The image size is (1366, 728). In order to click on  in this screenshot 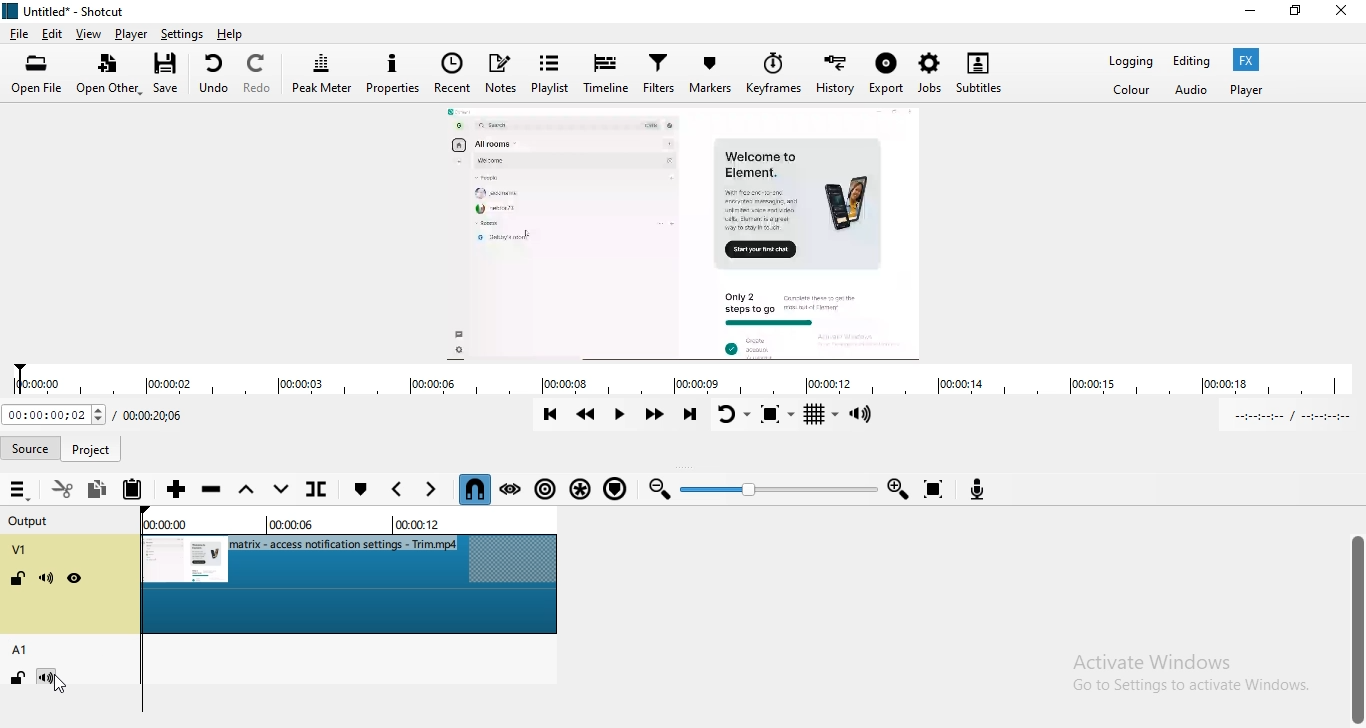, I will do `click(899, 486)`.